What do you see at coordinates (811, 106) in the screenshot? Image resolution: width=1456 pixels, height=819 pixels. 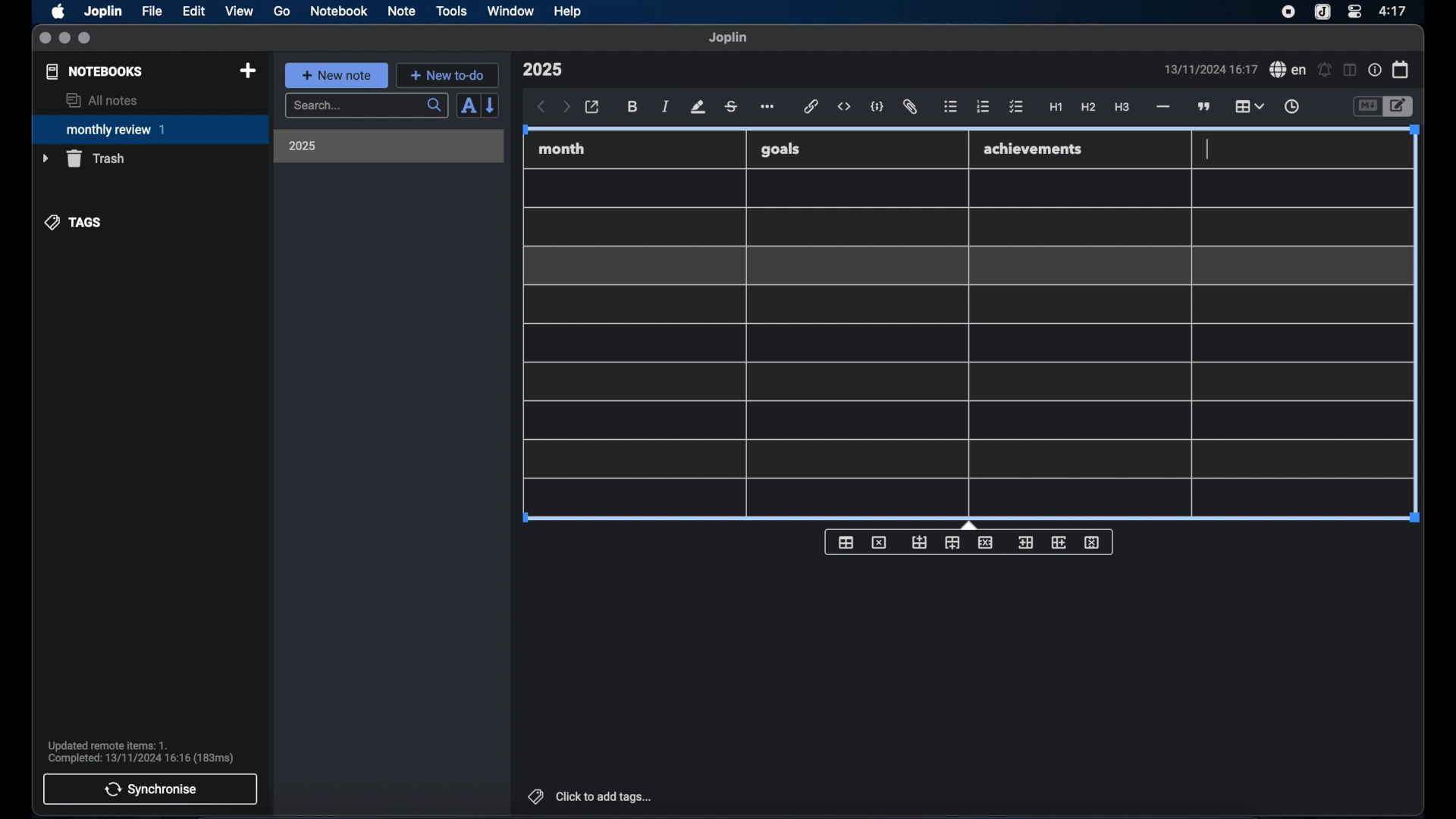 I see `hyperlink` at bounding box center [811, 106].